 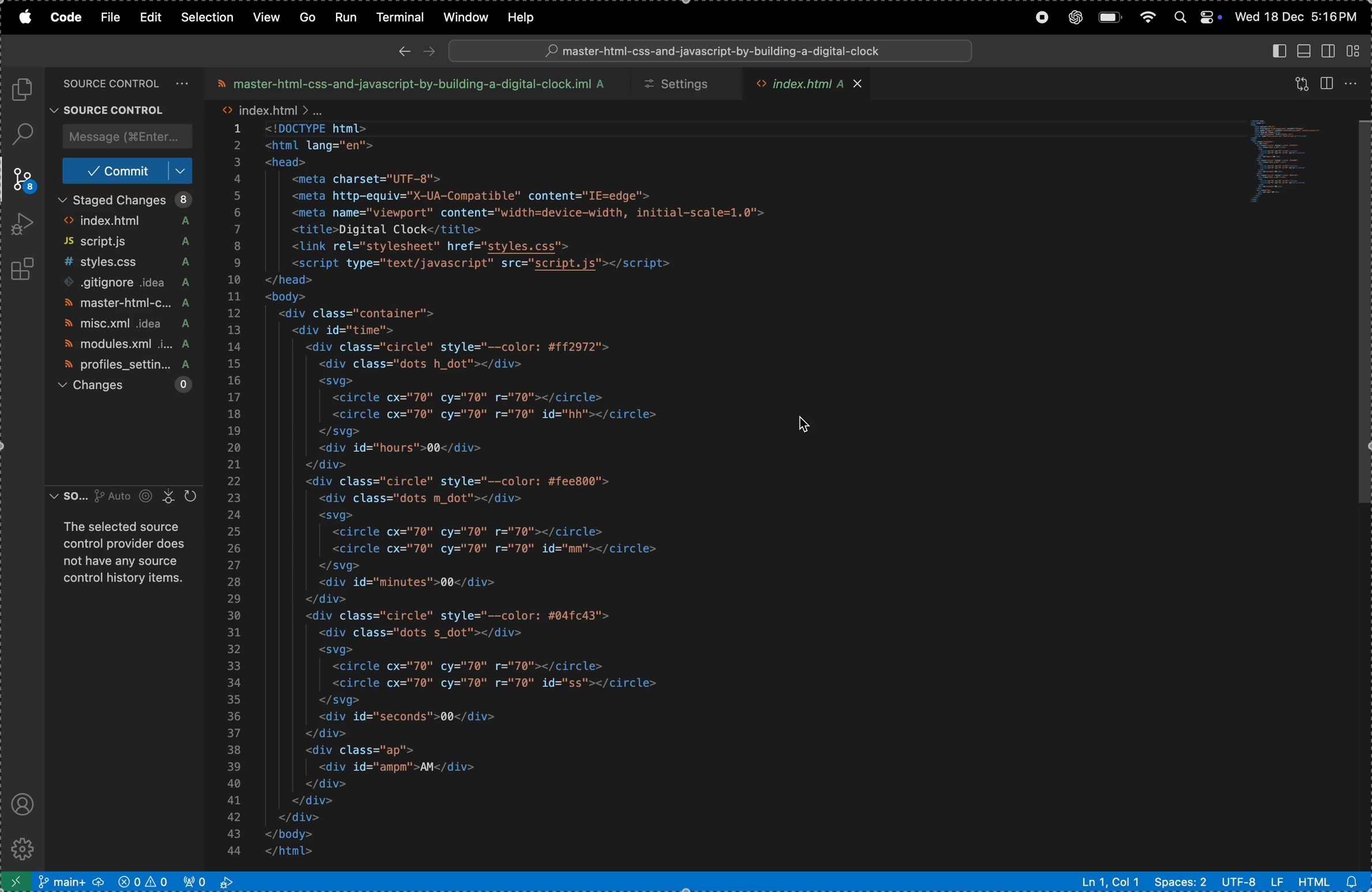 I want to click on index .html tab, so click(x=809, y=85).